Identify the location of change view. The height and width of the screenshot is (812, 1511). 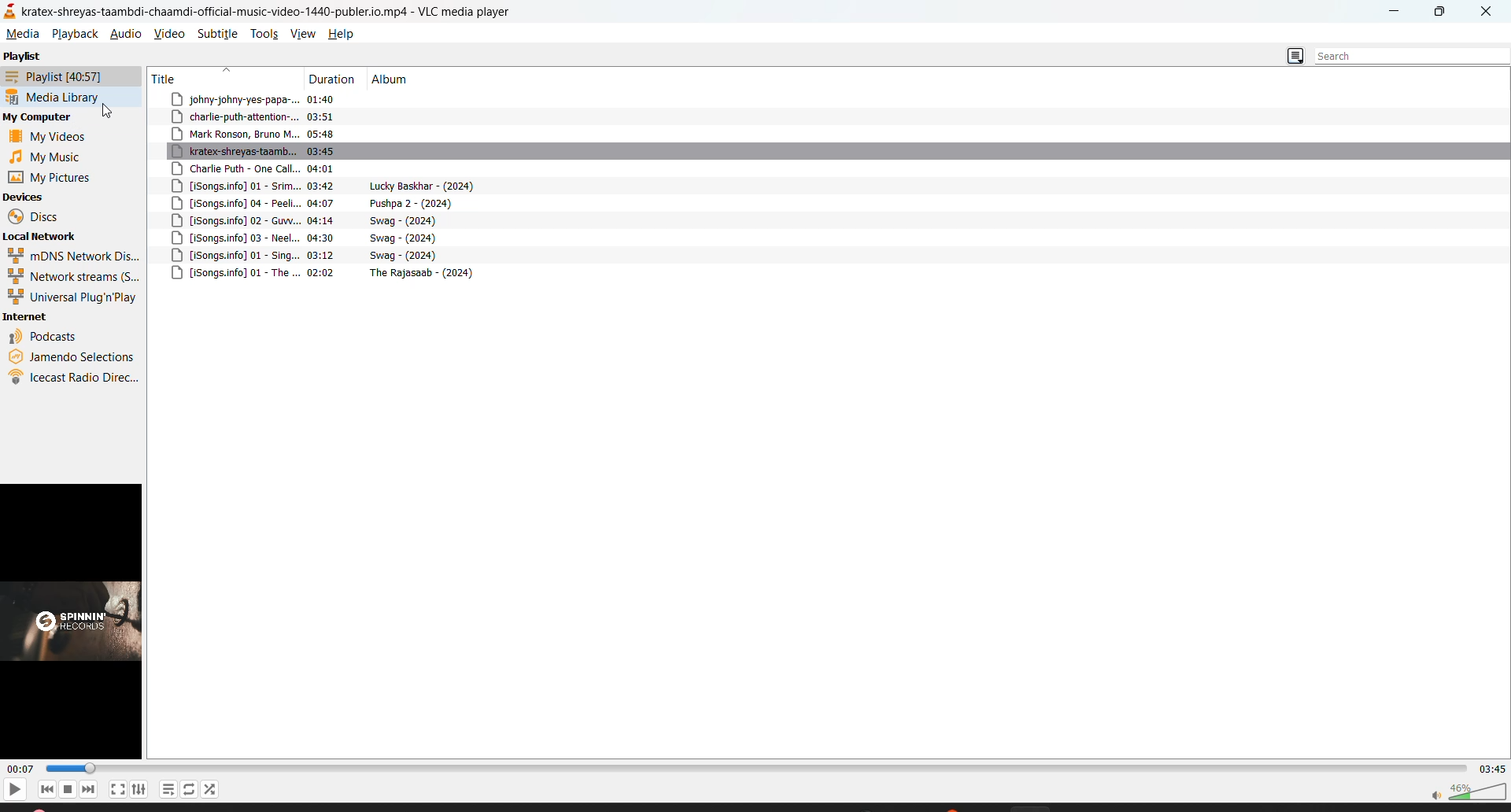
(1292, 57).